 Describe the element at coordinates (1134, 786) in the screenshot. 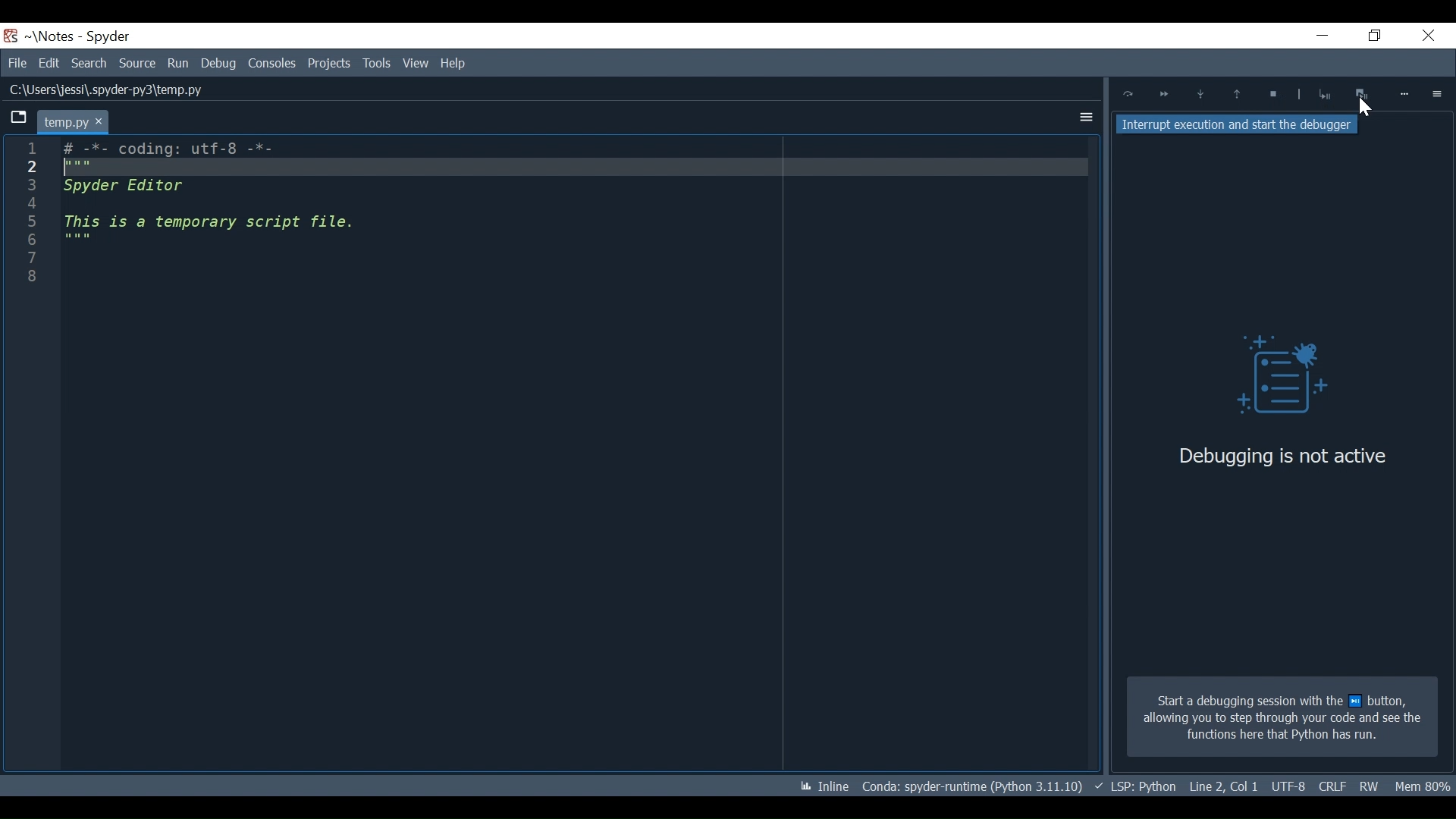

I see `Language` at that location.